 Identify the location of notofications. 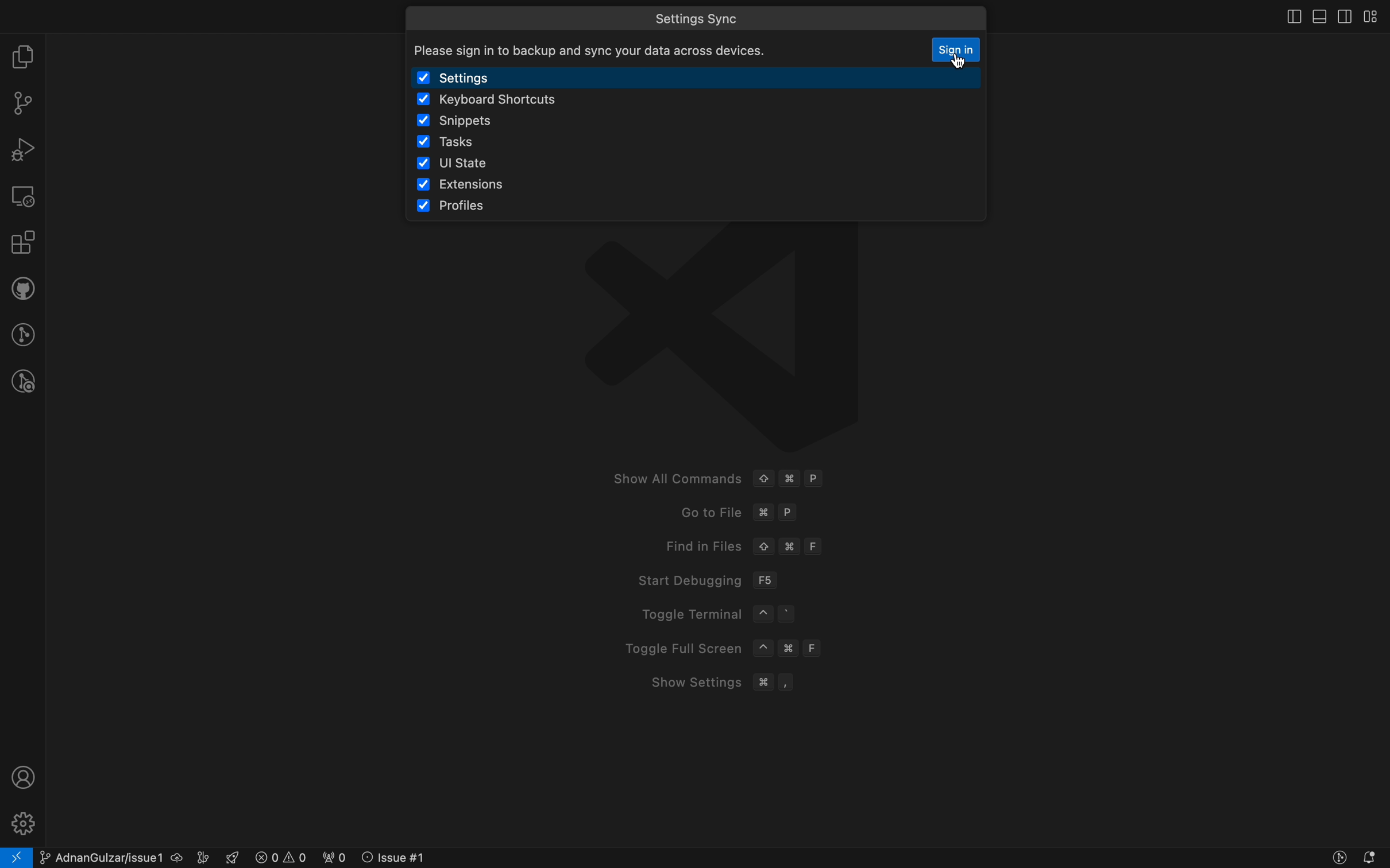
(1372, 858).